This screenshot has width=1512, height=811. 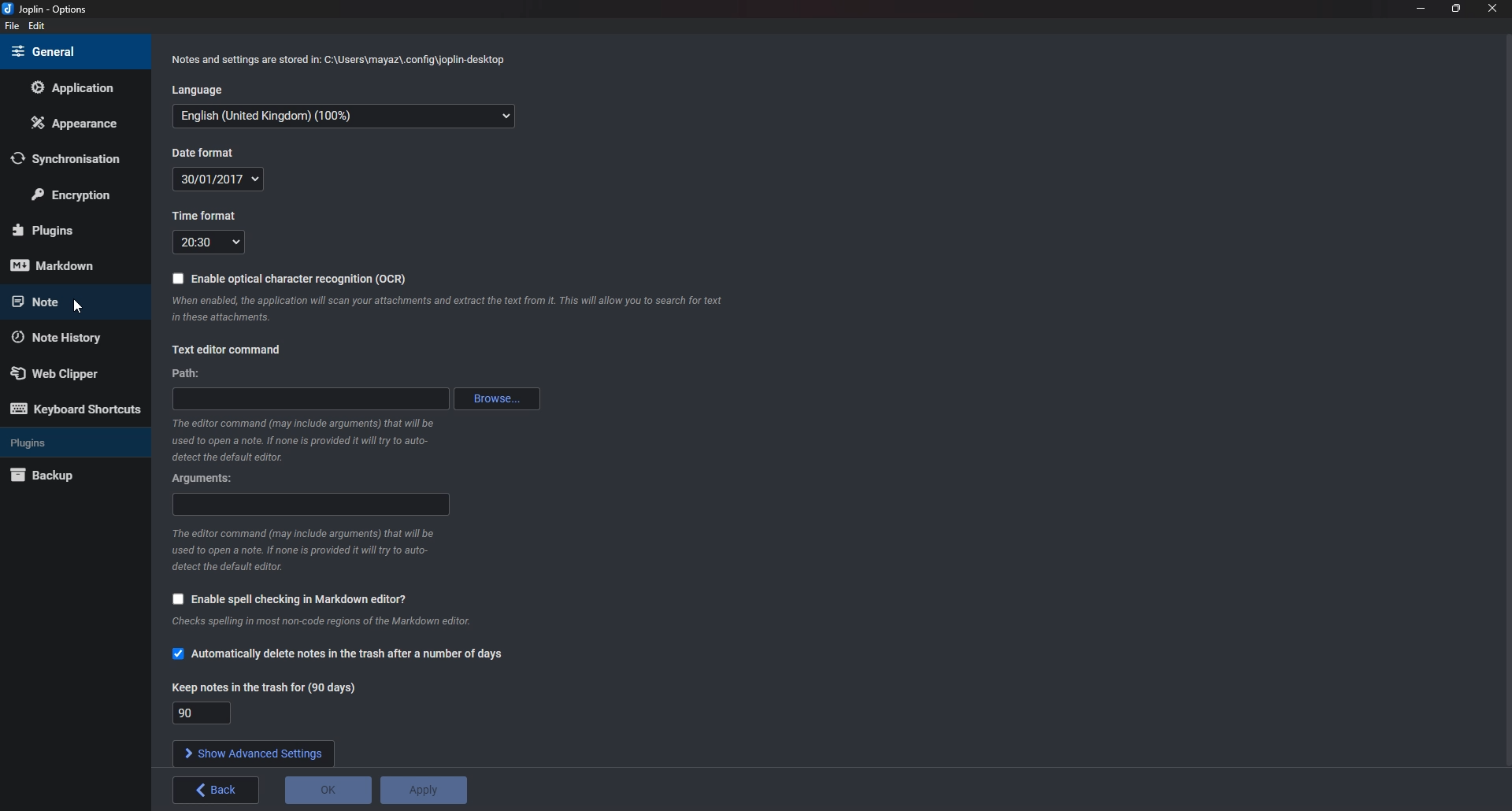 I want to click on Back, so click(x=216, y=790).